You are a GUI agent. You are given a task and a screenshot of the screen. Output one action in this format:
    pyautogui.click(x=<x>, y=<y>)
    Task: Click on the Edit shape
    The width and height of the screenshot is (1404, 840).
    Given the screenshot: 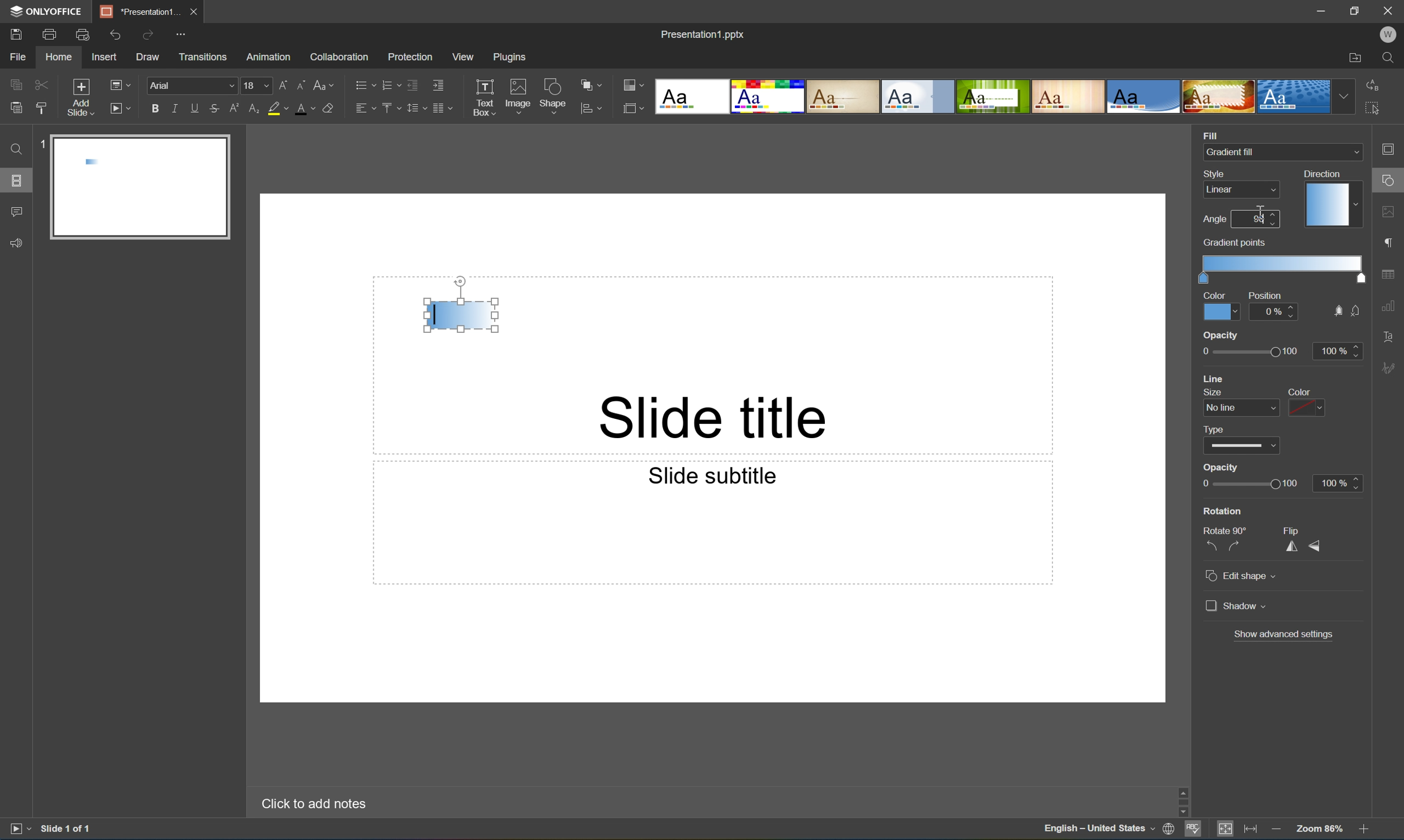 What is the action you would take?
    pyautogui.click(x=1243, y=577)
    